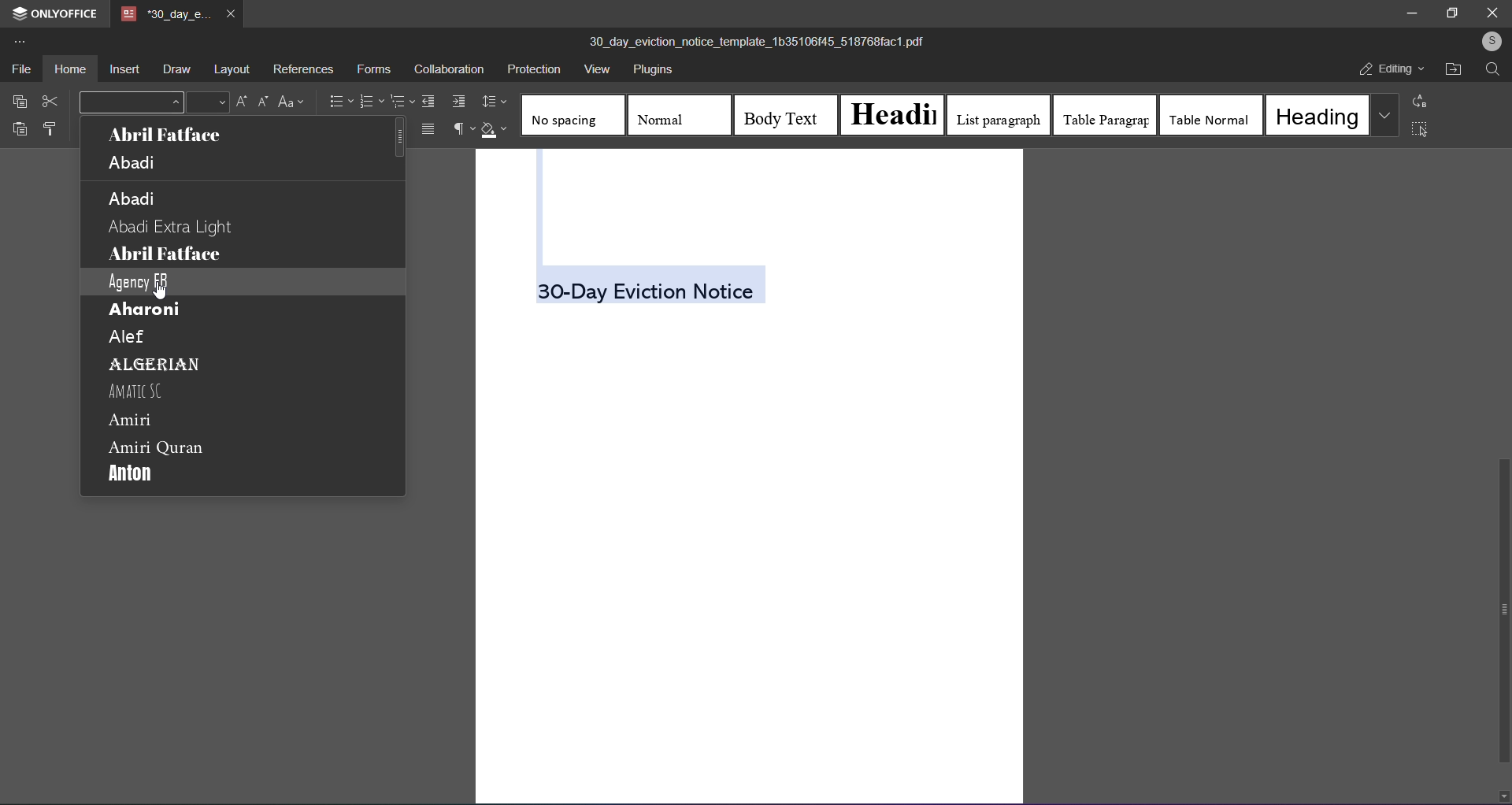 Image resolution: width=1512 pixels, height=805 pixels. Describe the element at coordinates (20, 39) in the screenshot. I see `more` at that location.